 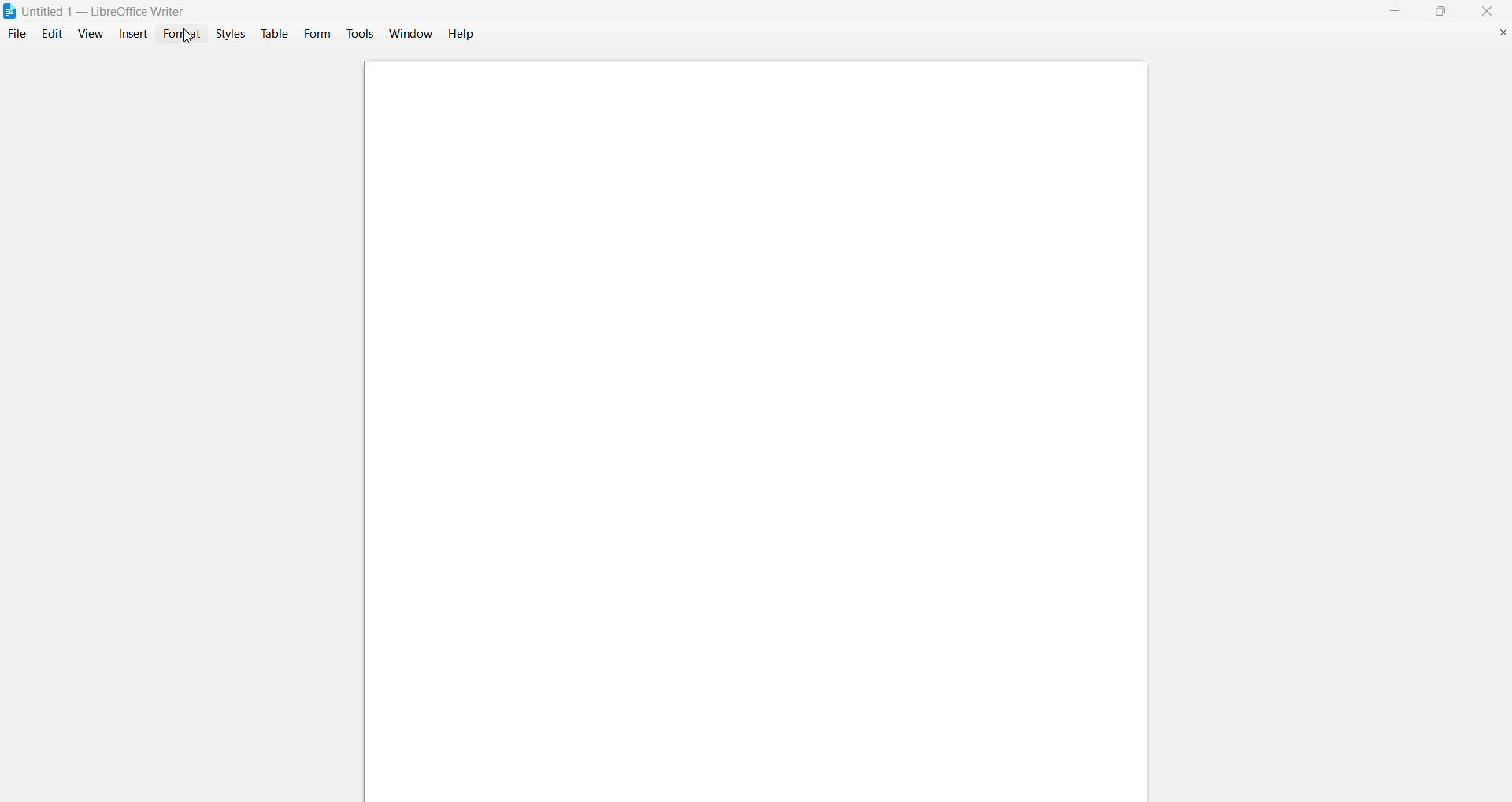 What do you see at coordinates (183, 36) in the screenshot?
I see `cursor` at bounding box center [183, 36].